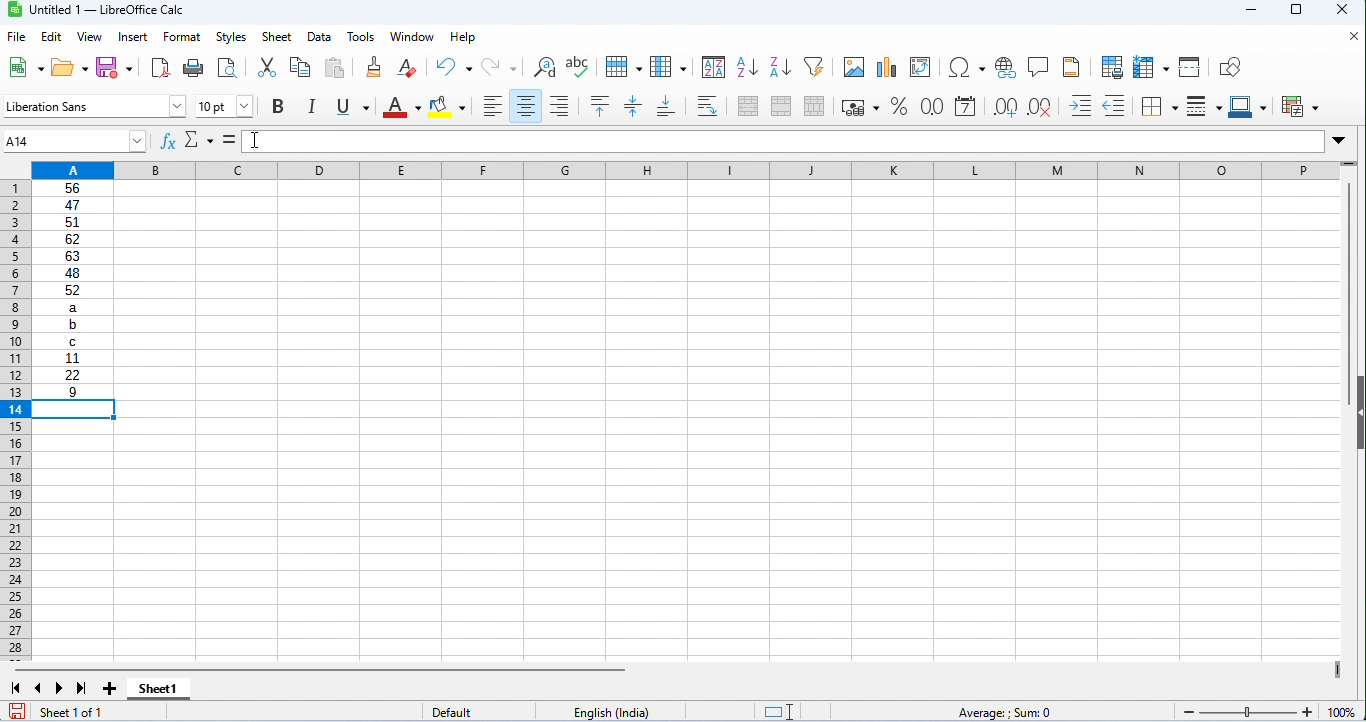  Describe the element at coordinates (231, 38) in the screenshot. I see `` at that location.